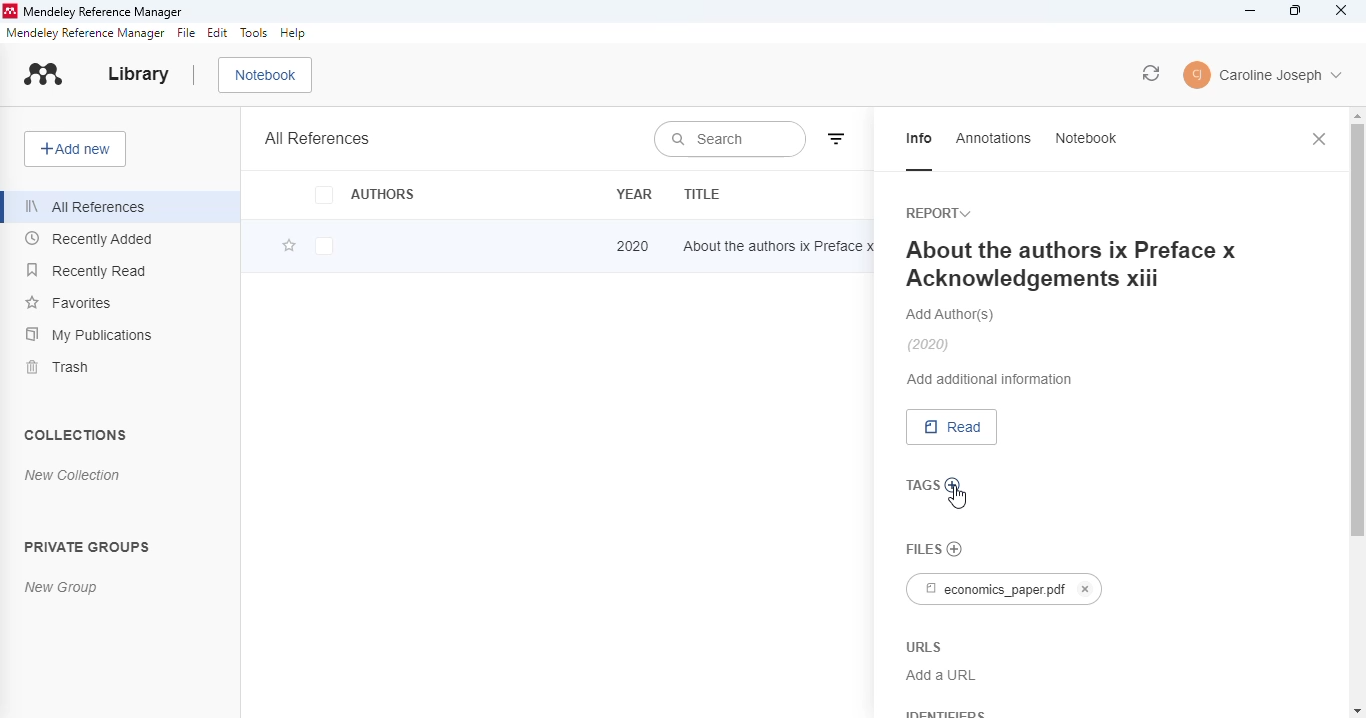 The width and height of the screenshot is (1366, 718). What do you see at coordinates (958, 499) in the screenshot?
I see `cursor` at bounding box center [958, 499].